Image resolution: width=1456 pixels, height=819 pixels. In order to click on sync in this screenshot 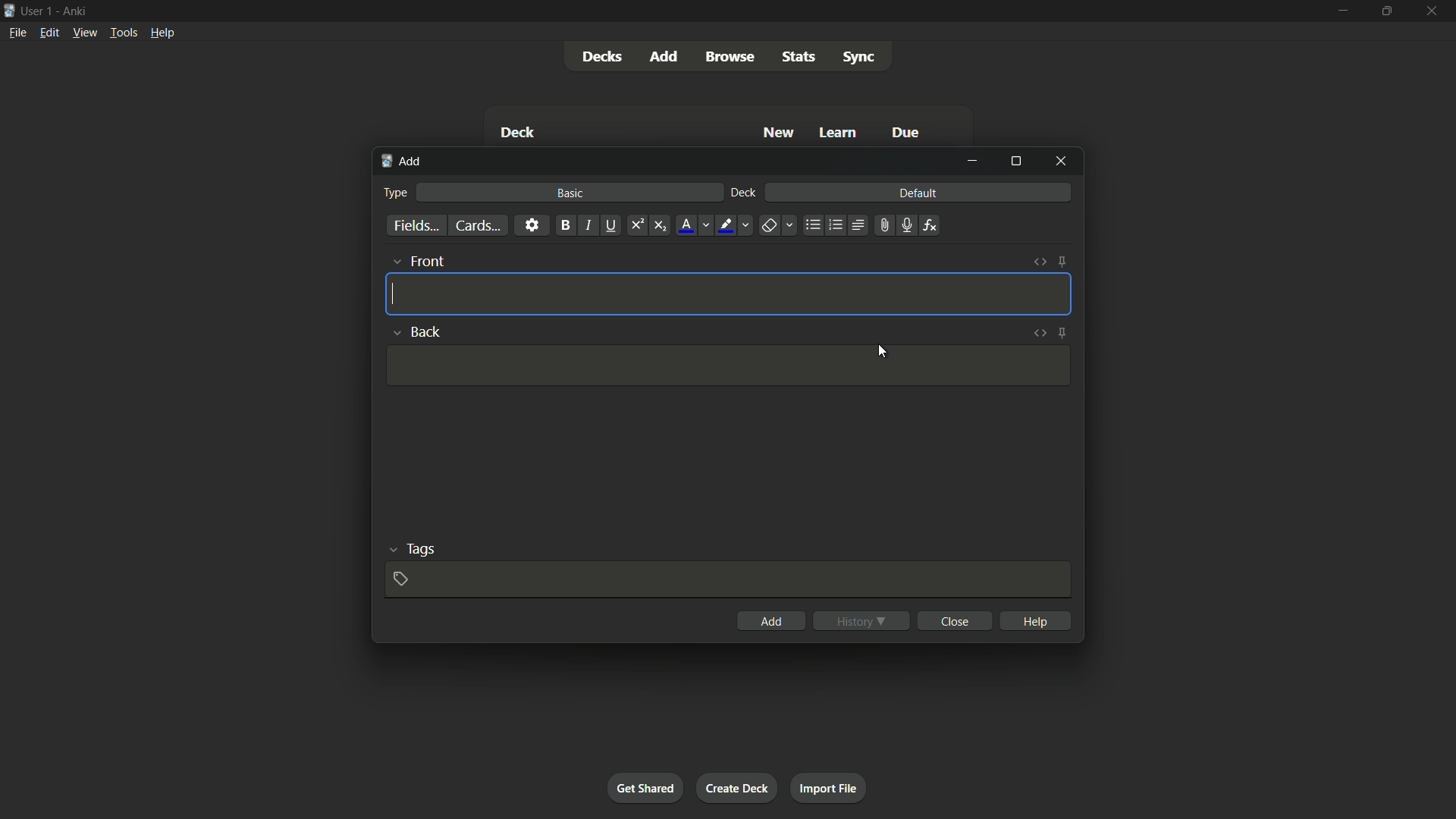, I will do `click(861, 58)`.